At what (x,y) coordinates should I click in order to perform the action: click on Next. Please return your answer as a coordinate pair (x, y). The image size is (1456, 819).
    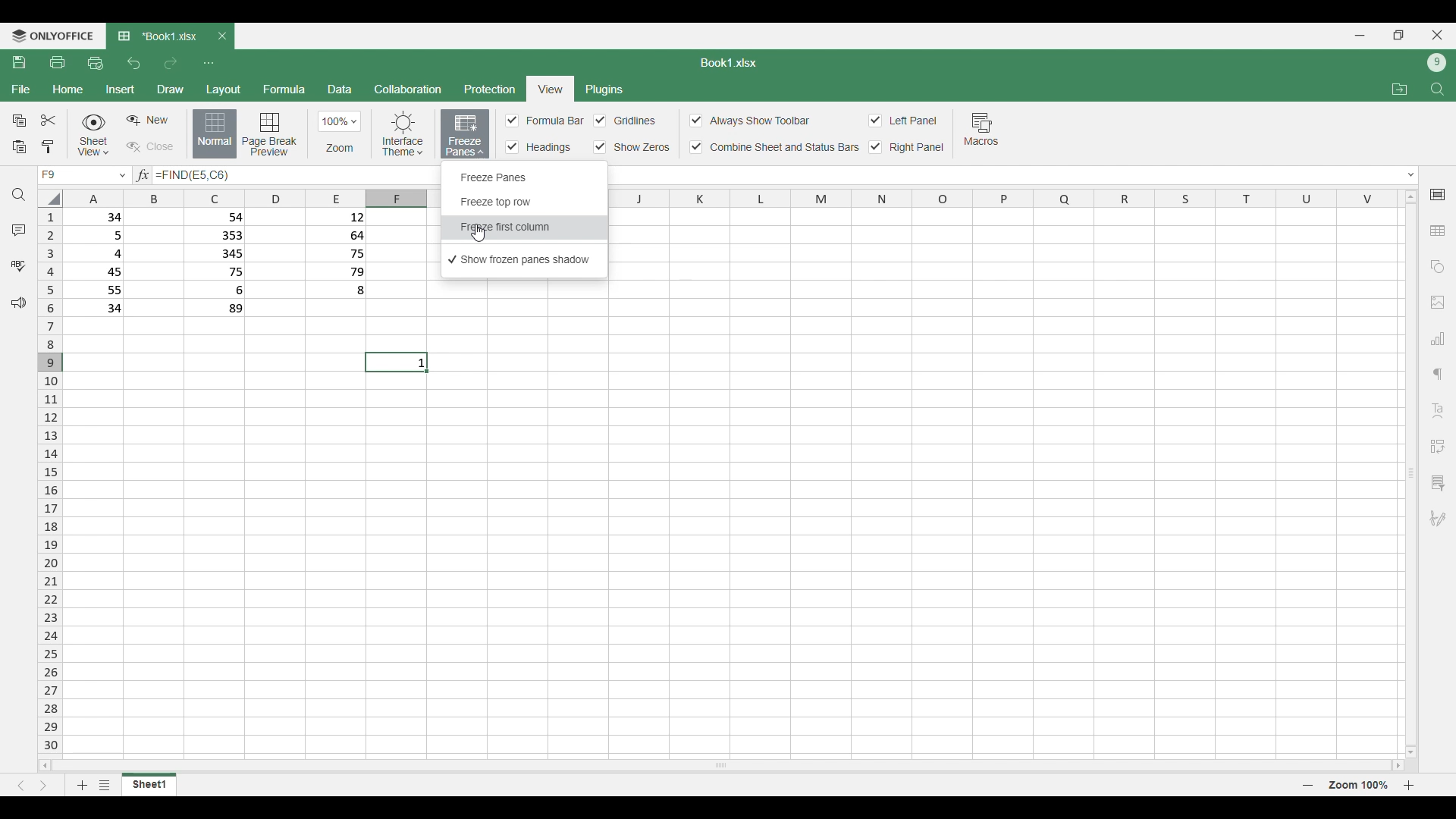
    Looking at the image, I should click on (45, 786).